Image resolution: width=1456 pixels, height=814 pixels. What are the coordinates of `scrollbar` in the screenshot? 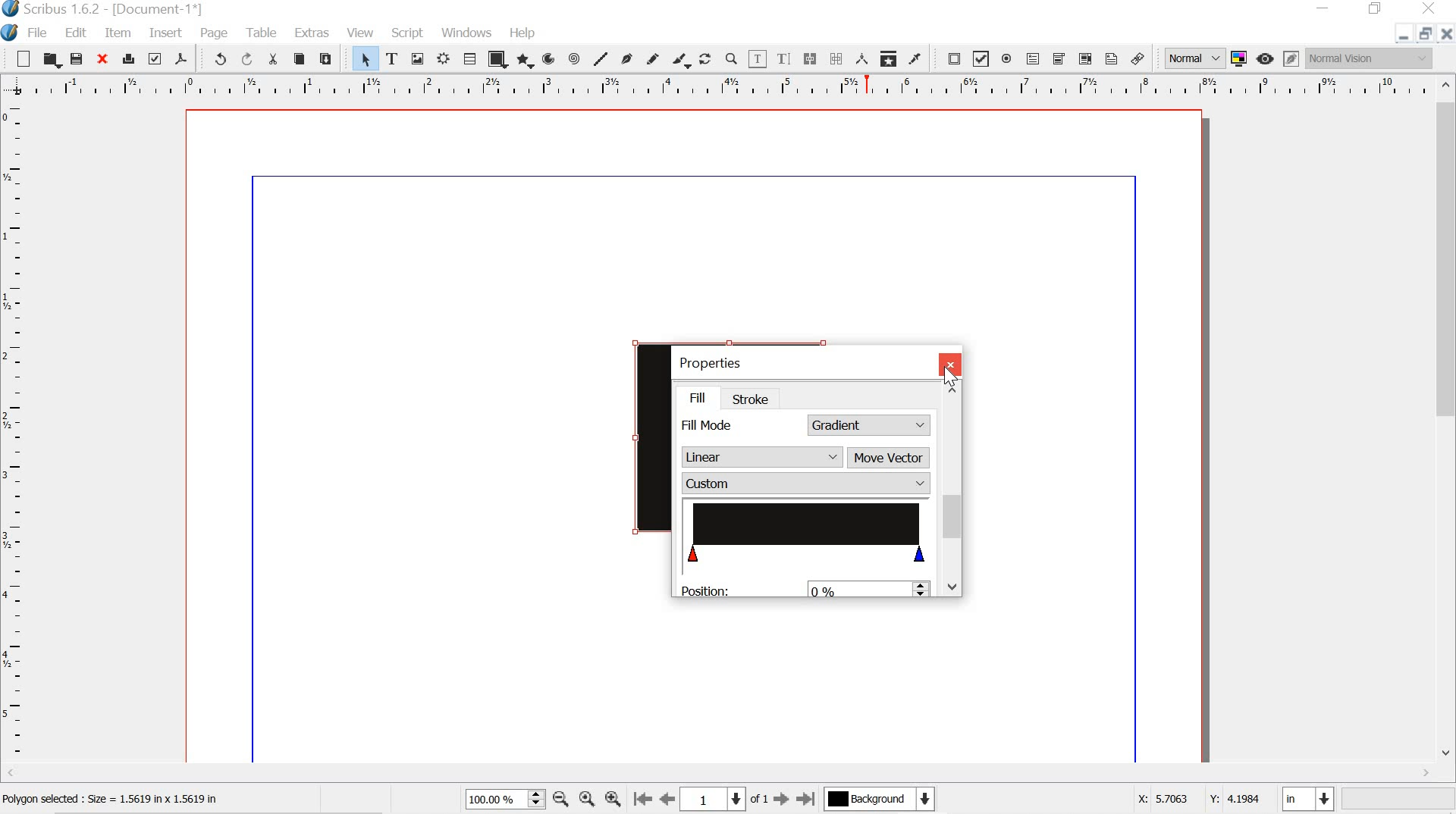 It's located at (1445, 422).